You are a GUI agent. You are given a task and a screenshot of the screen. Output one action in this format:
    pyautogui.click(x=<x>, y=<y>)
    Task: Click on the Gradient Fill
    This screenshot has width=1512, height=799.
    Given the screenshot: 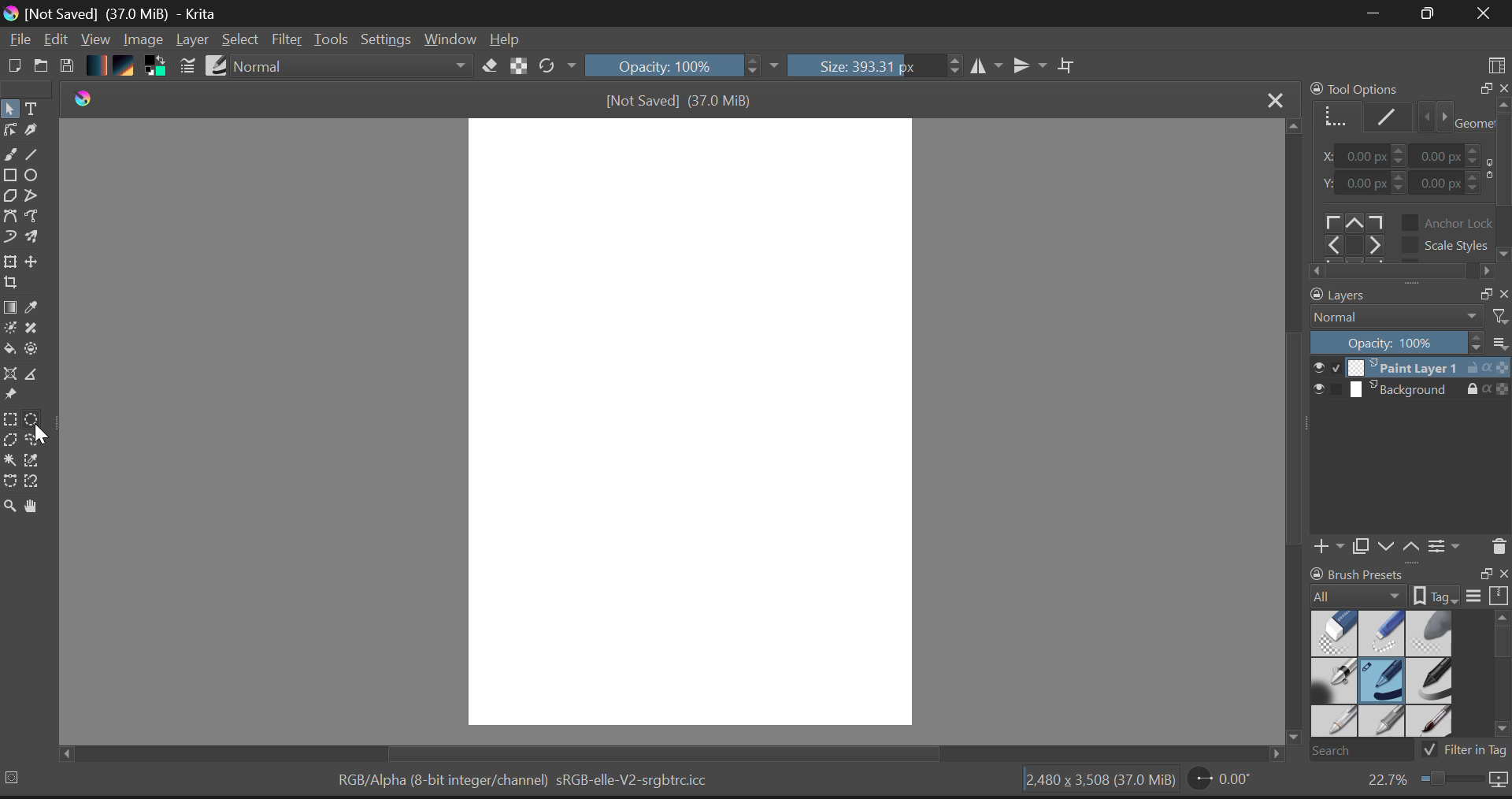 What is the action you would take?
    pyautogui.click(x=10, y=309)
    